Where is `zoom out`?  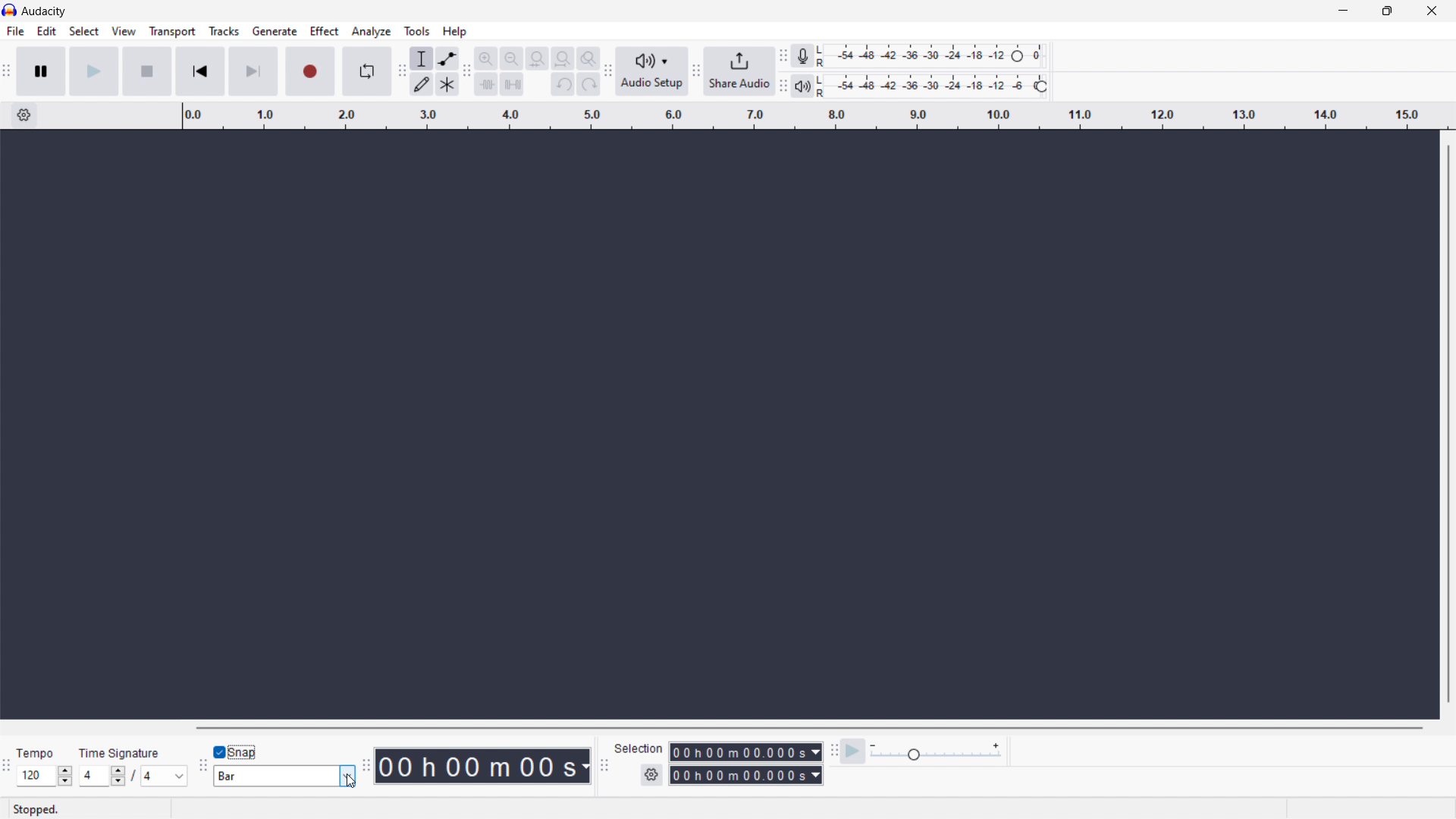 zoom out is located at coordinates (512, 58).